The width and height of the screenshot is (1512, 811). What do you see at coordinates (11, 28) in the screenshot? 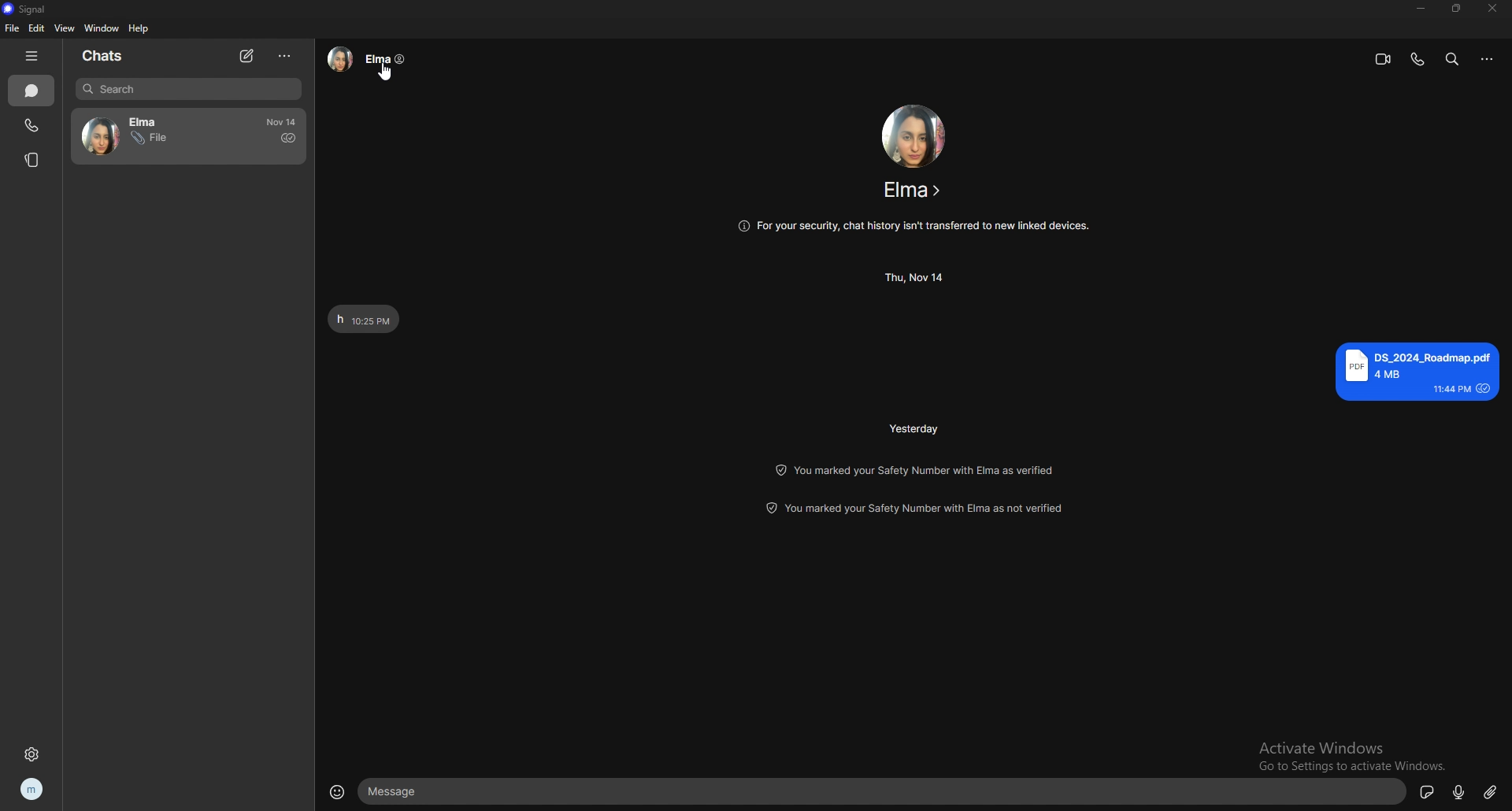
I see `file` at bounding box center [11, 28].